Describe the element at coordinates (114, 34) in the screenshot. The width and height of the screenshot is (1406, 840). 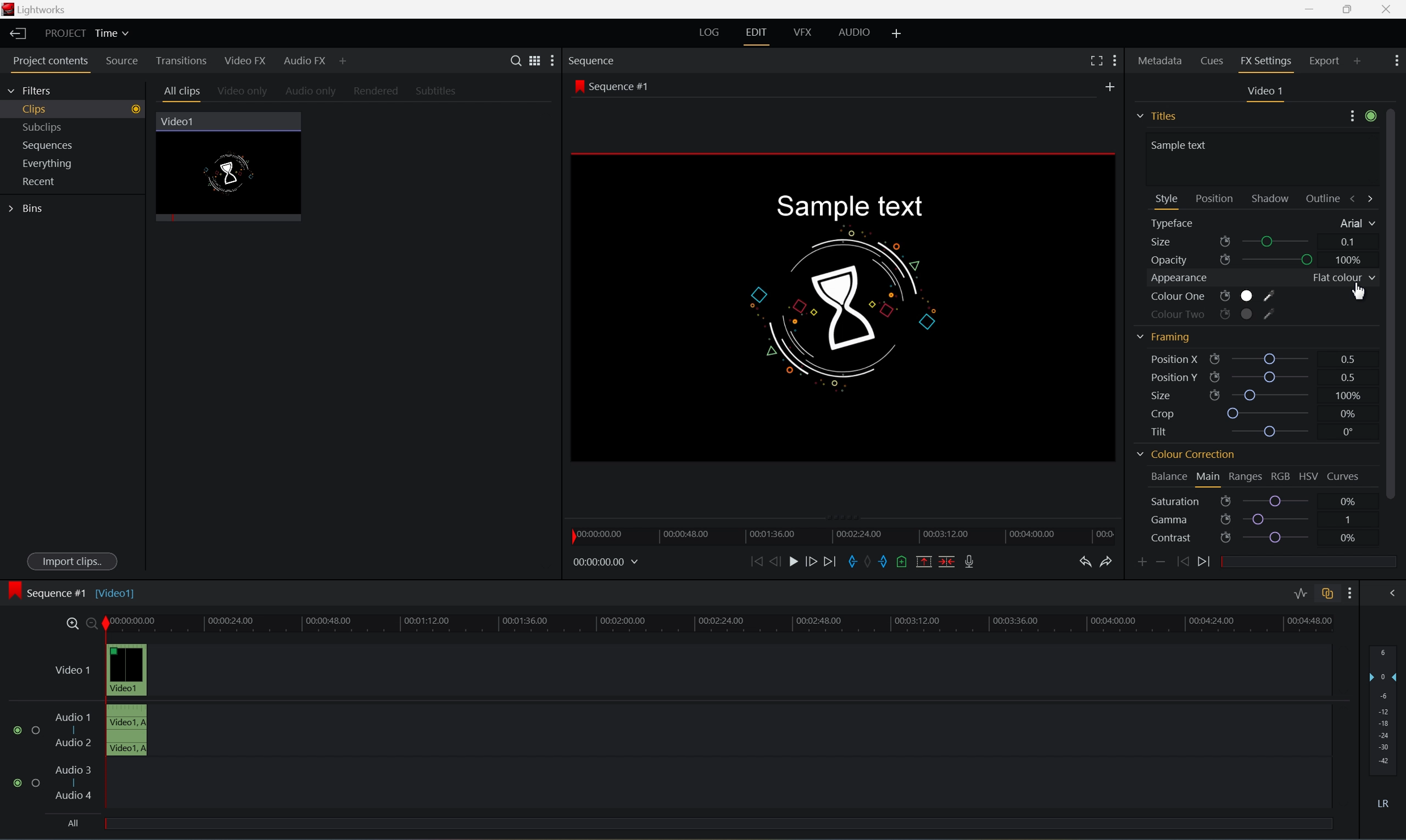
I see `Time` at that location.